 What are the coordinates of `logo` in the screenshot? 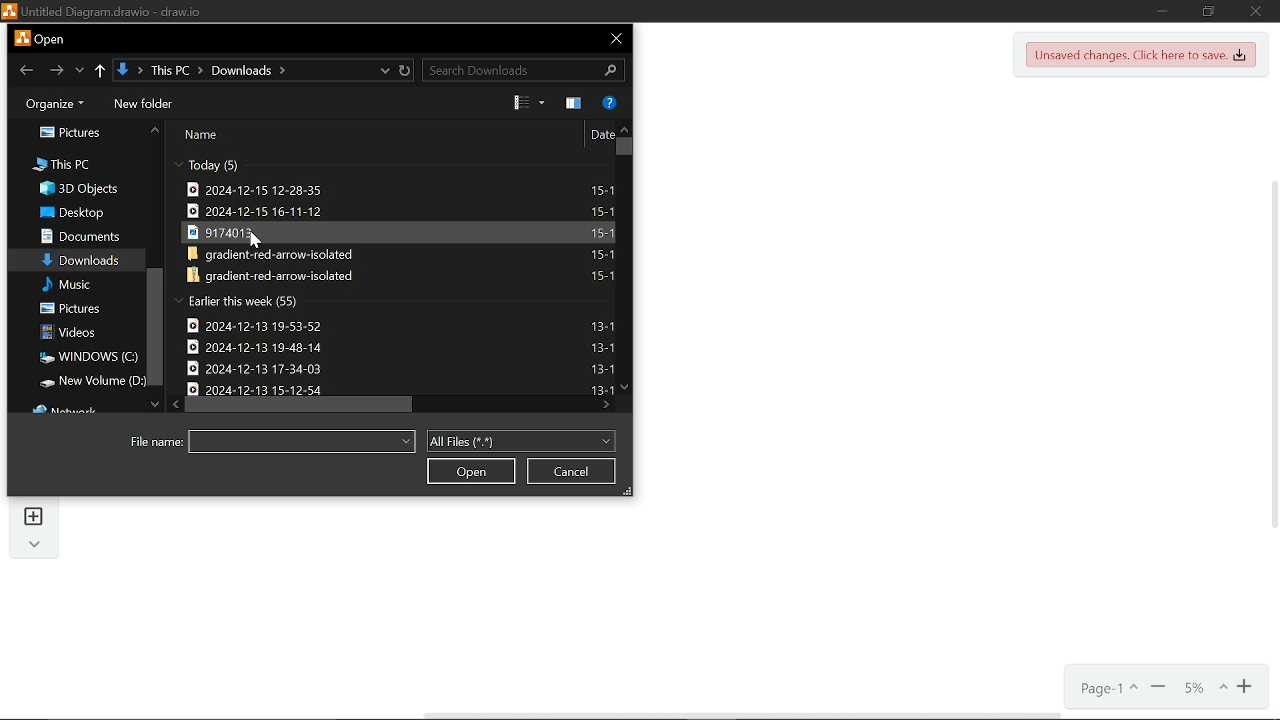 It's located at (9, 12).